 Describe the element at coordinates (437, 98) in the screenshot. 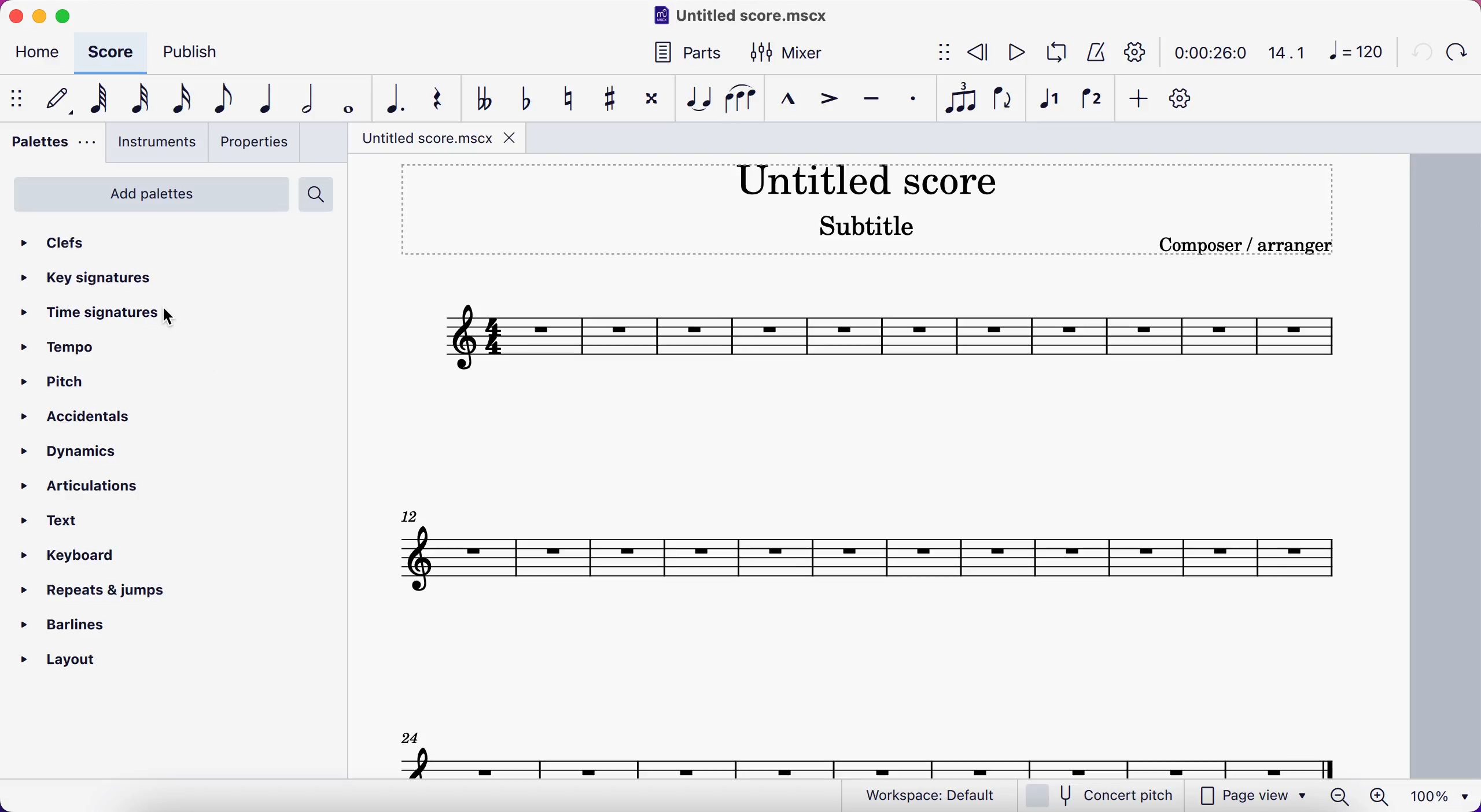

I see `rest` at that location.